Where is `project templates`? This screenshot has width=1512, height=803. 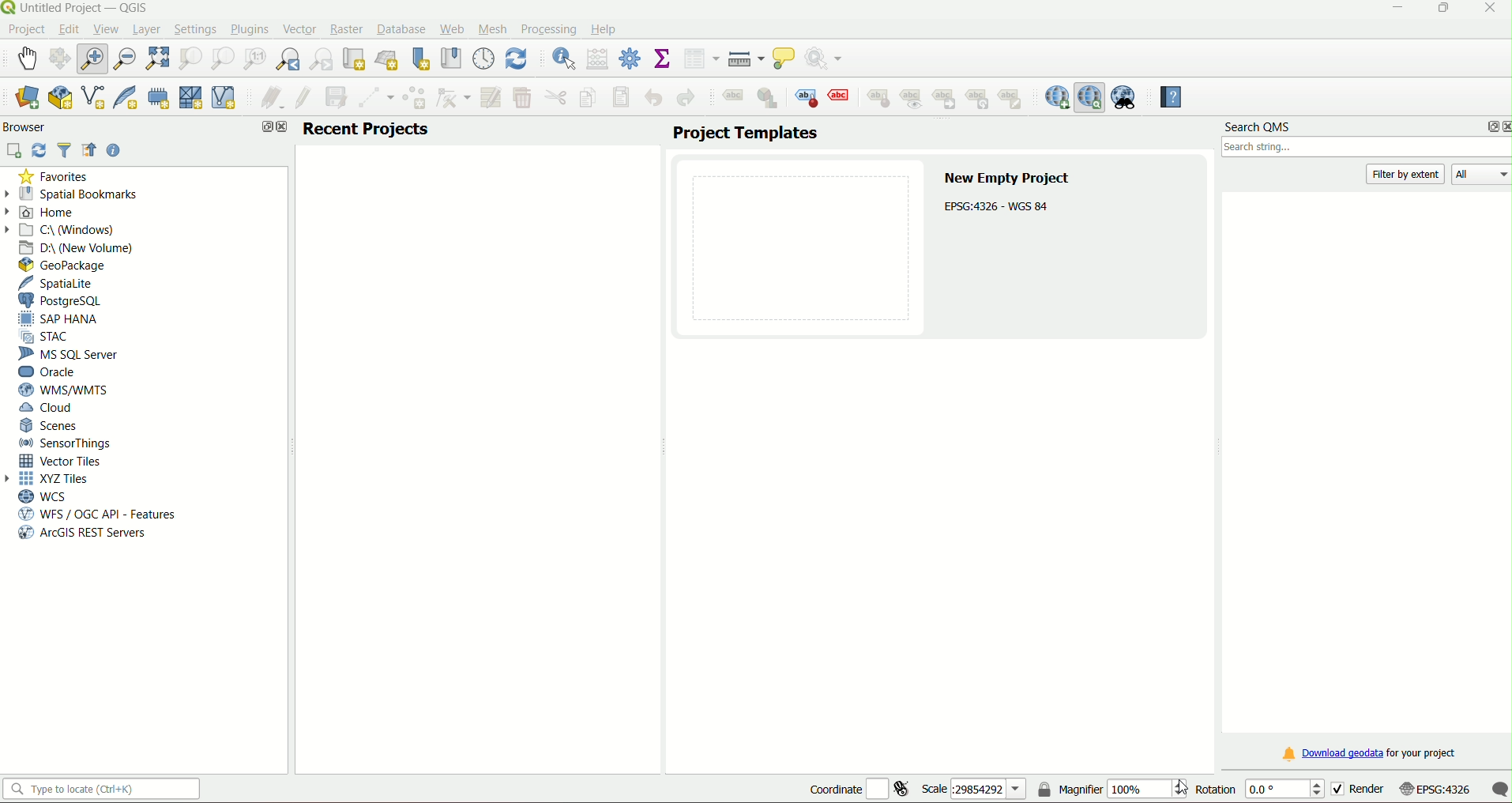
project templates is located at coordinates (744, 134).